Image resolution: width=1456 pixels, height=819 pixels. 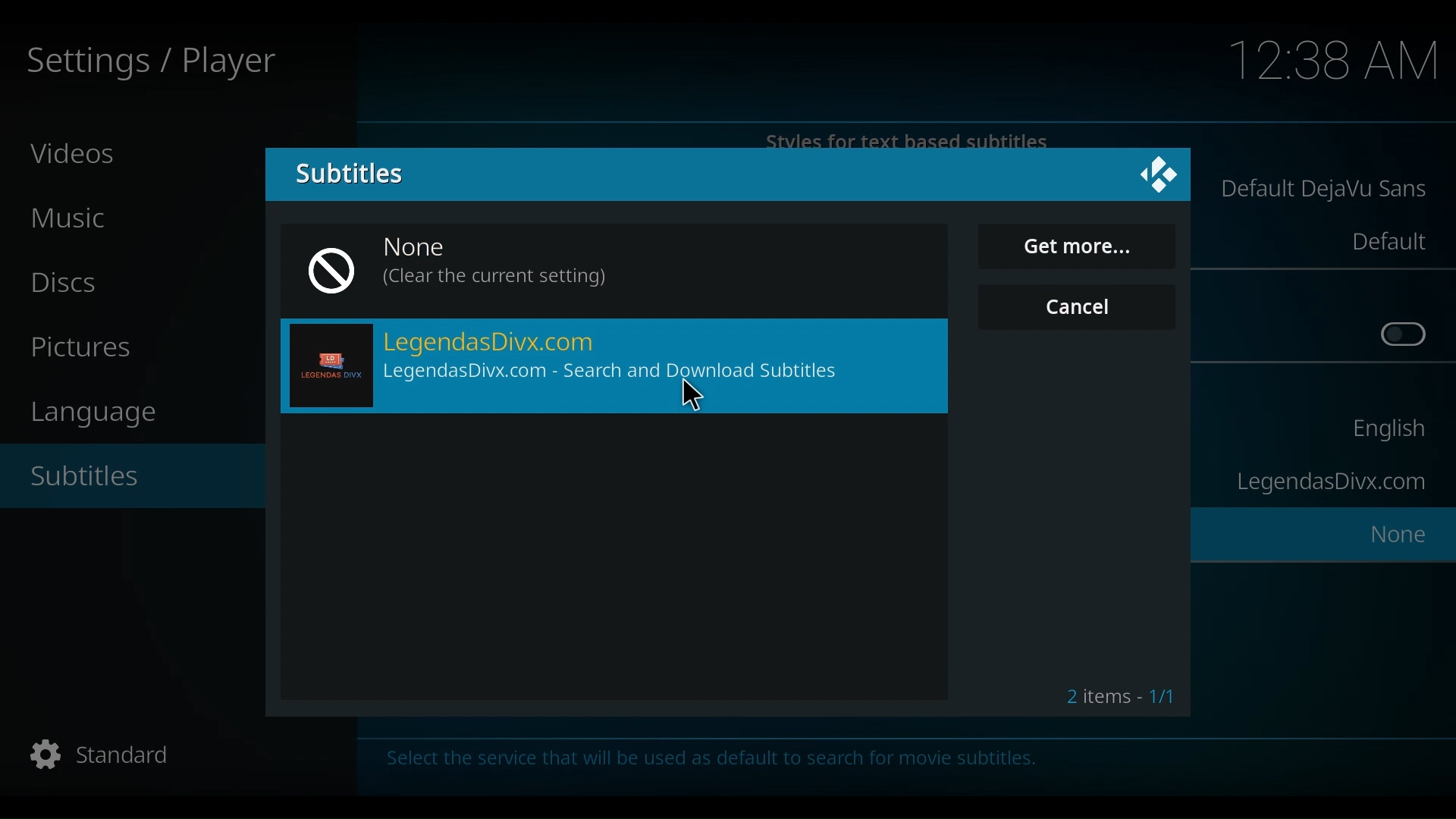 I want to click on Pictures, so click(x=88, y=349).